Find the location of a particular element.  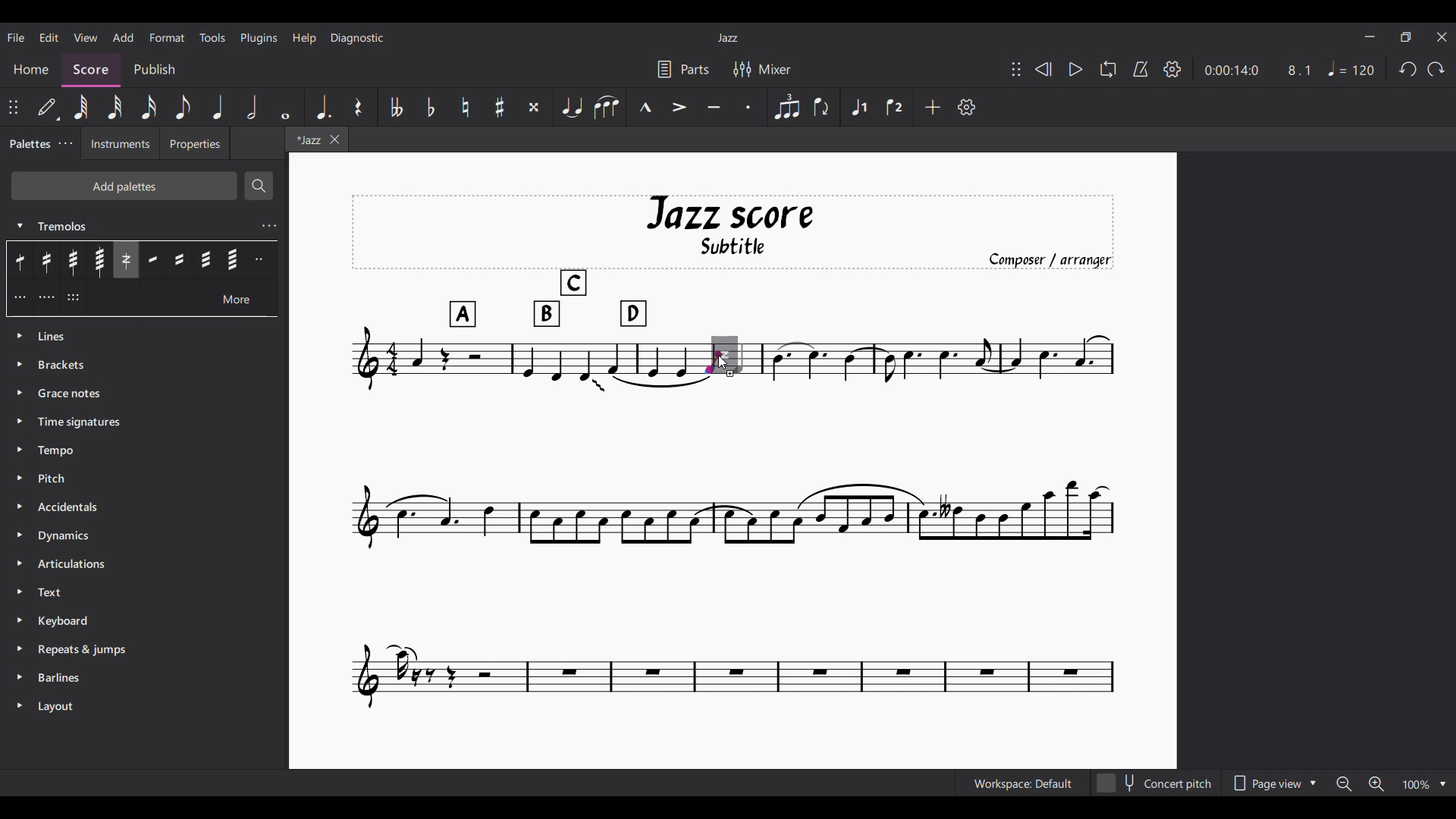

Plugins is located at coordinates (259, 39).